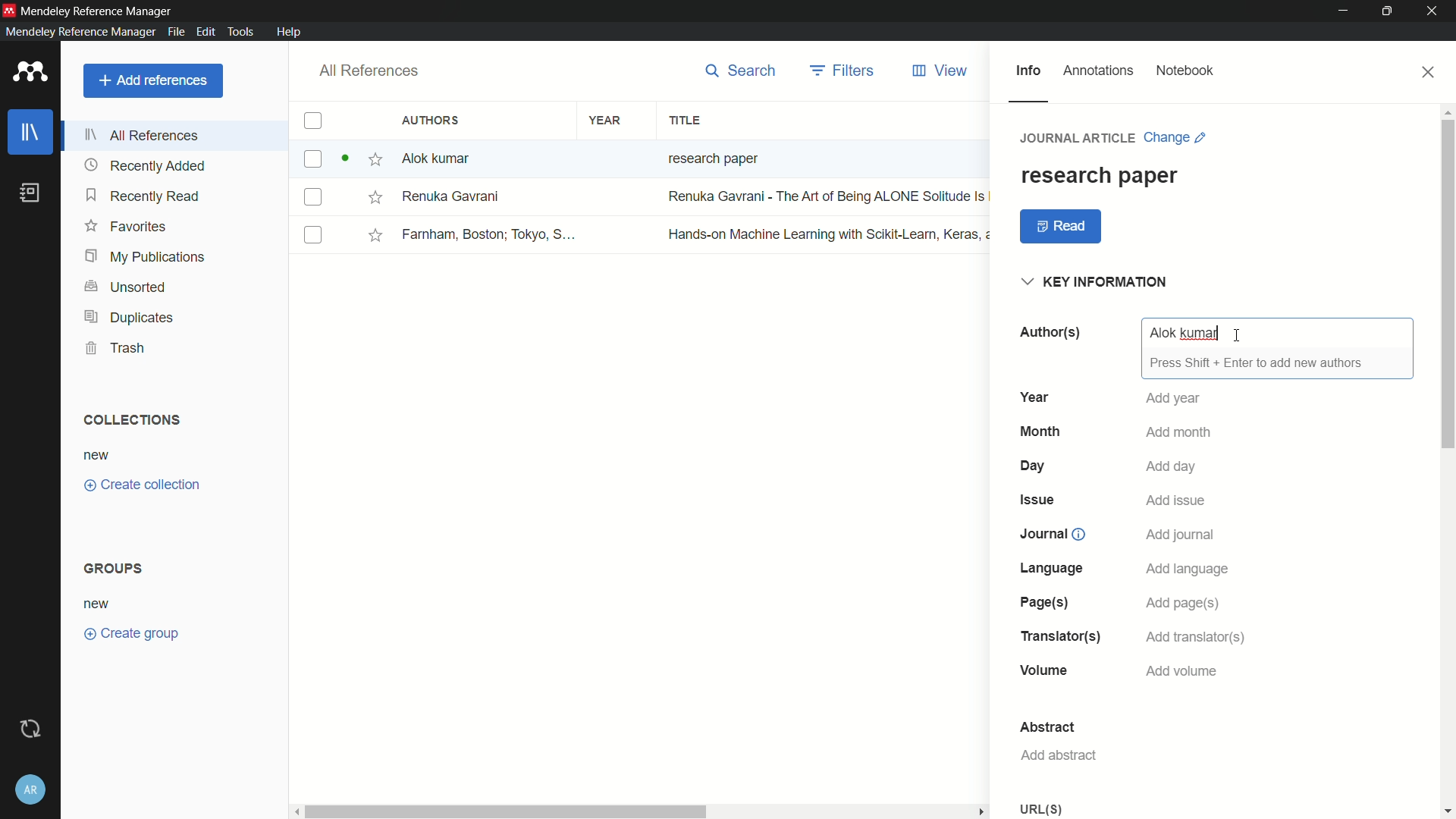  Describe the element at coordinates (9, 10) in the screenshot. I see `app icon` at that location.